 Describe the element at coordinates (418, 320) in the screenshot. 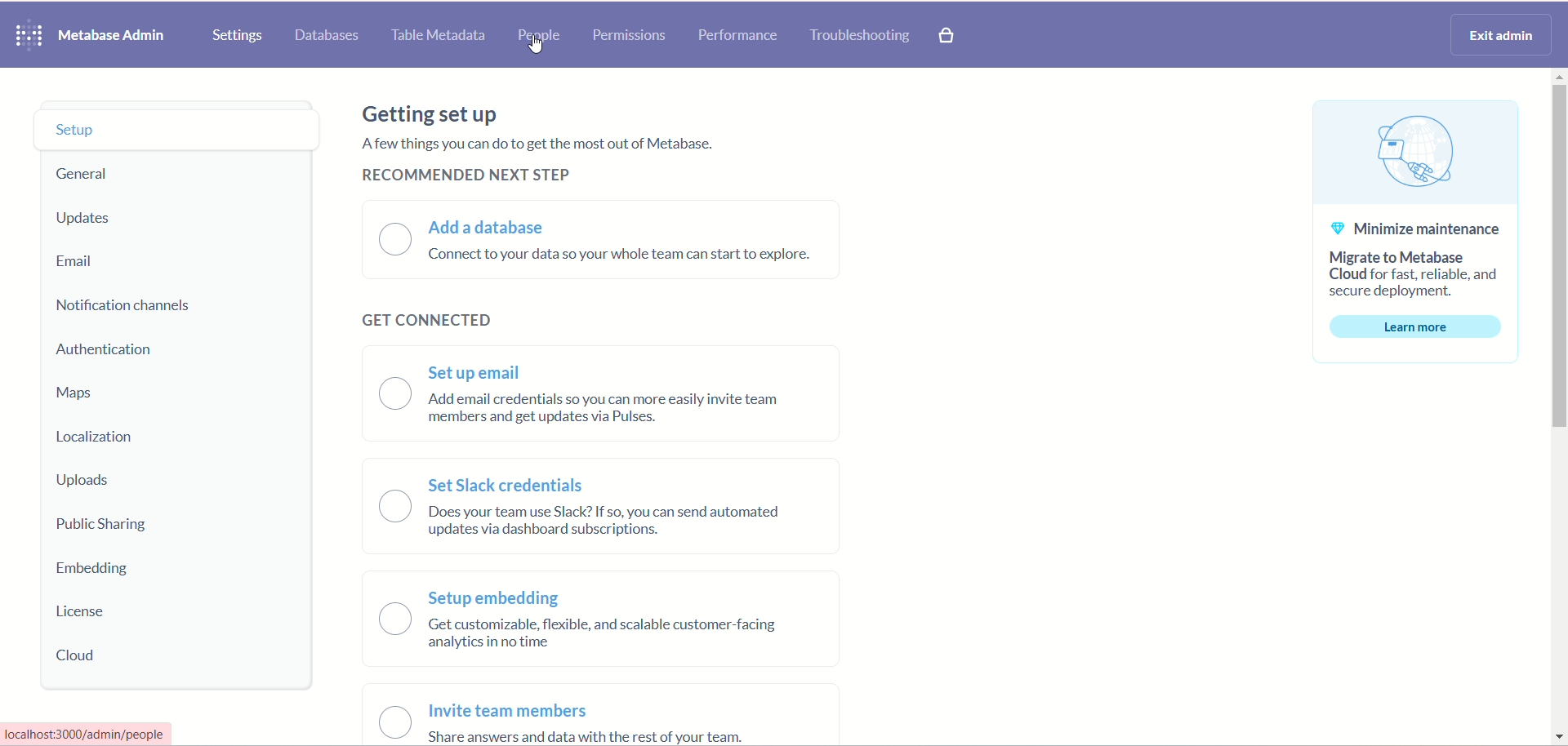

I see `get connected` at that location.